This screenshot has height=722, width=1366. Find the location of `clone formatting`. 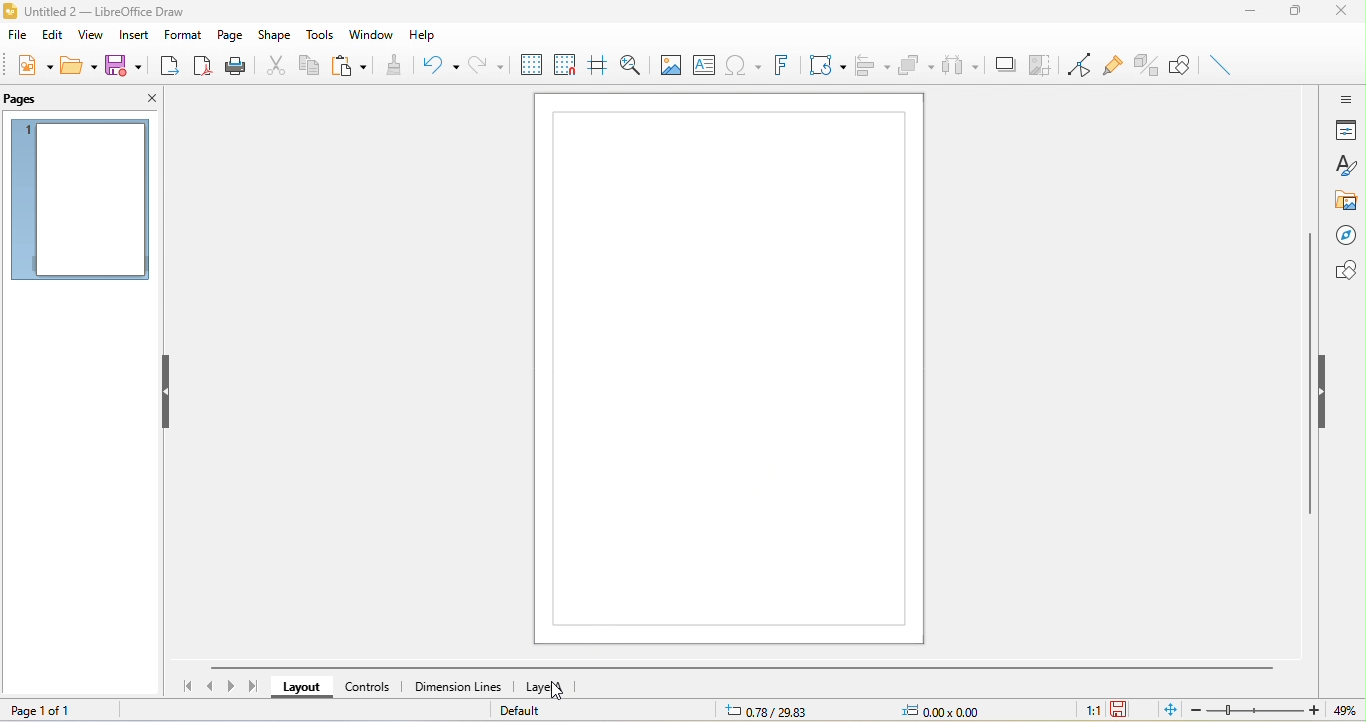

clone formatting is located at coordinates (392, 65).